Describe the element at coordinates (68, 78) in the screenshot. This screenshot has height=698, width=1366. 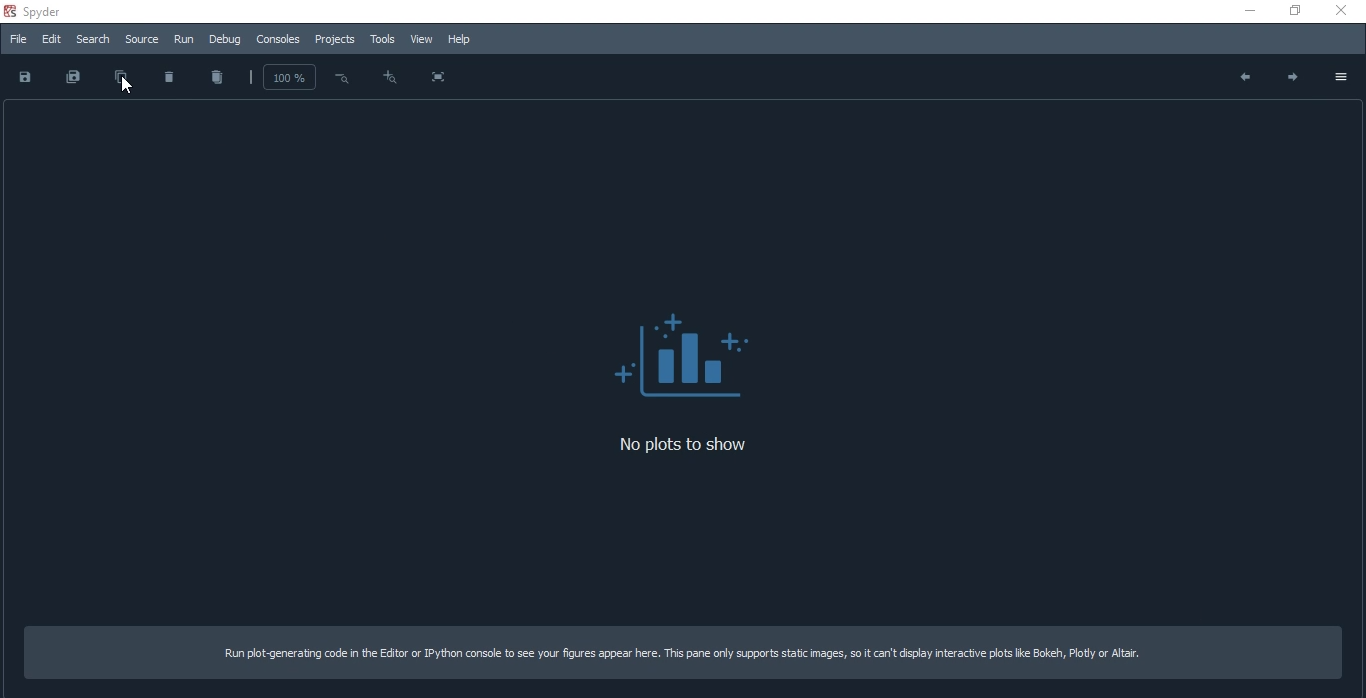
I see `save all` at that location.